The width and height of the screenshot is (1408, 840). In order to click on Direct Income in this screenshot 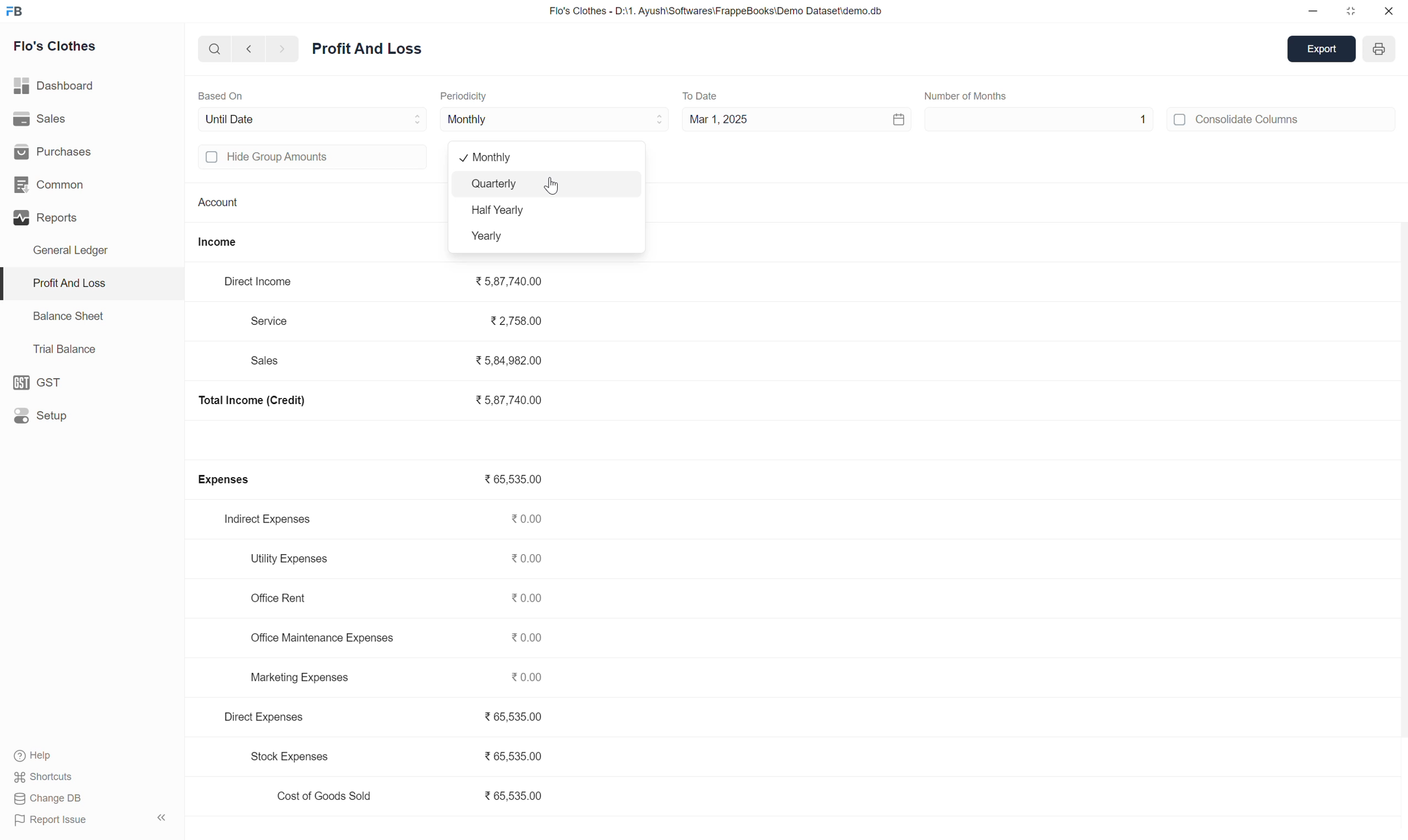, I will do `click(262, 281)`.